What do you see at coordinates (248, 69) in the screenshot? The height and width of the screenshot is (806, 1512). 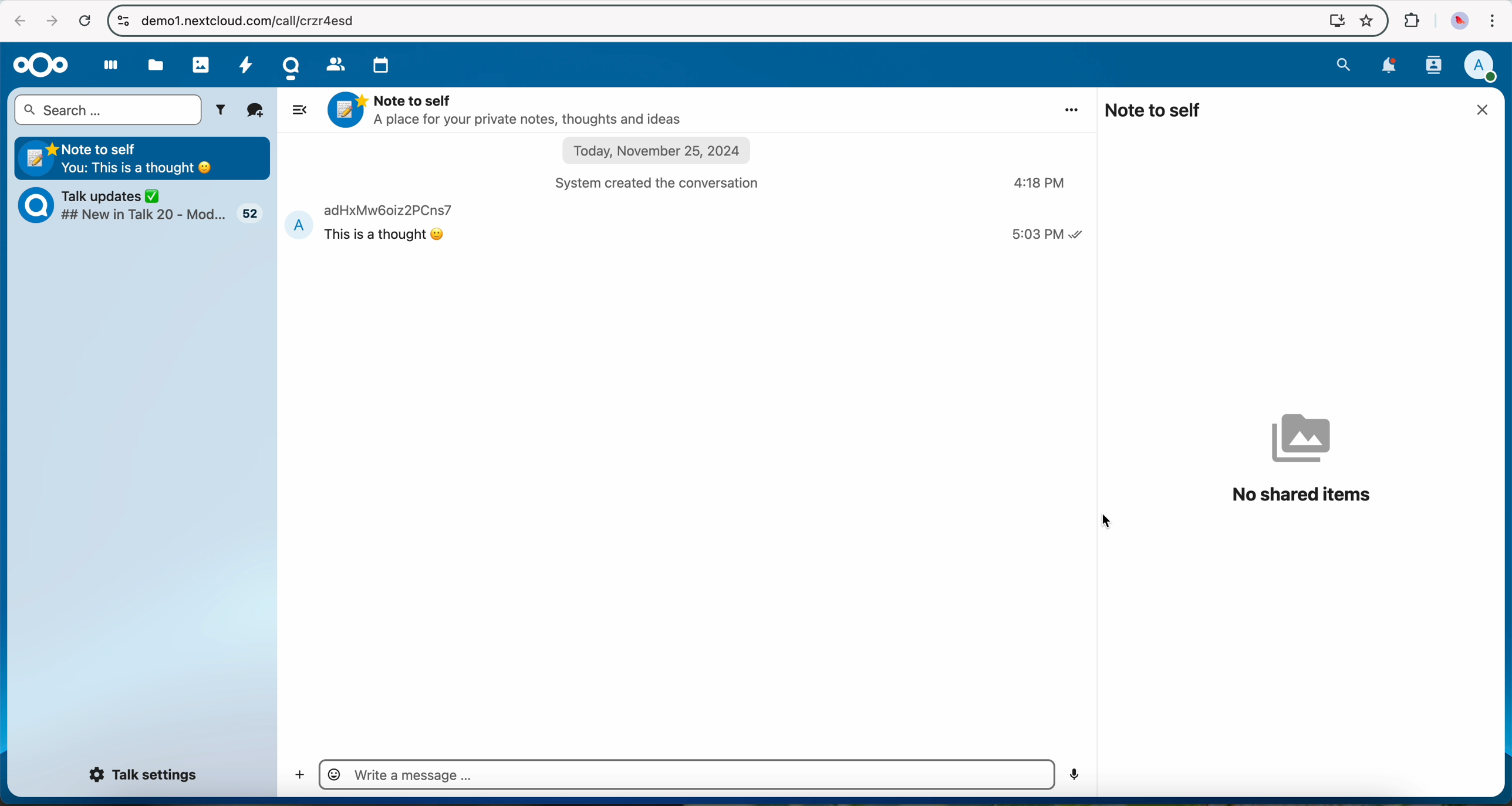 I see `activity` at bounding box center [248, 69].